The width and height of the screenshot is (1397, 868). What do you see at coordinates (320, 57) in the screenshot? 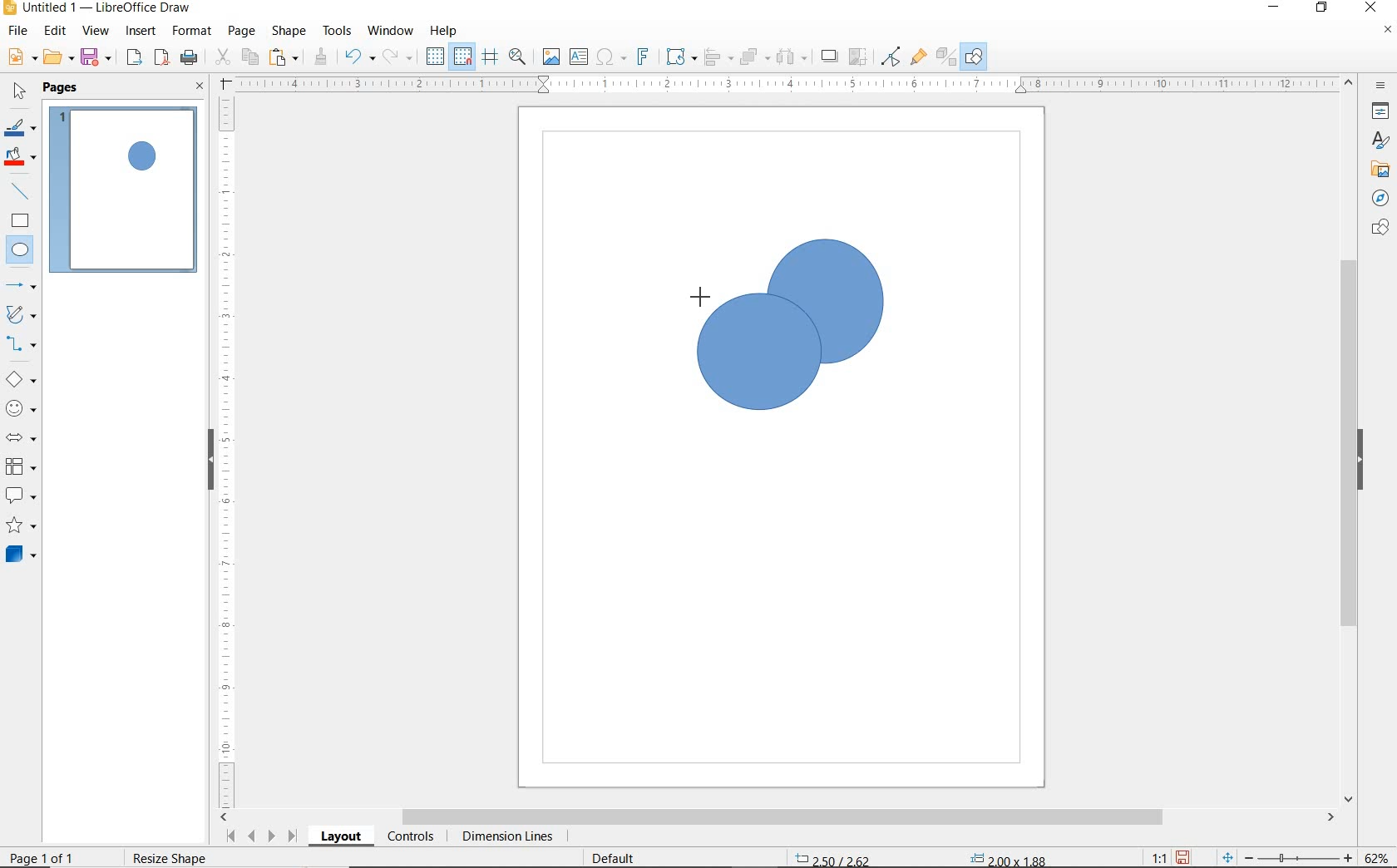
I see `CLONE FORMATTING` at bounding box center [320, 57].